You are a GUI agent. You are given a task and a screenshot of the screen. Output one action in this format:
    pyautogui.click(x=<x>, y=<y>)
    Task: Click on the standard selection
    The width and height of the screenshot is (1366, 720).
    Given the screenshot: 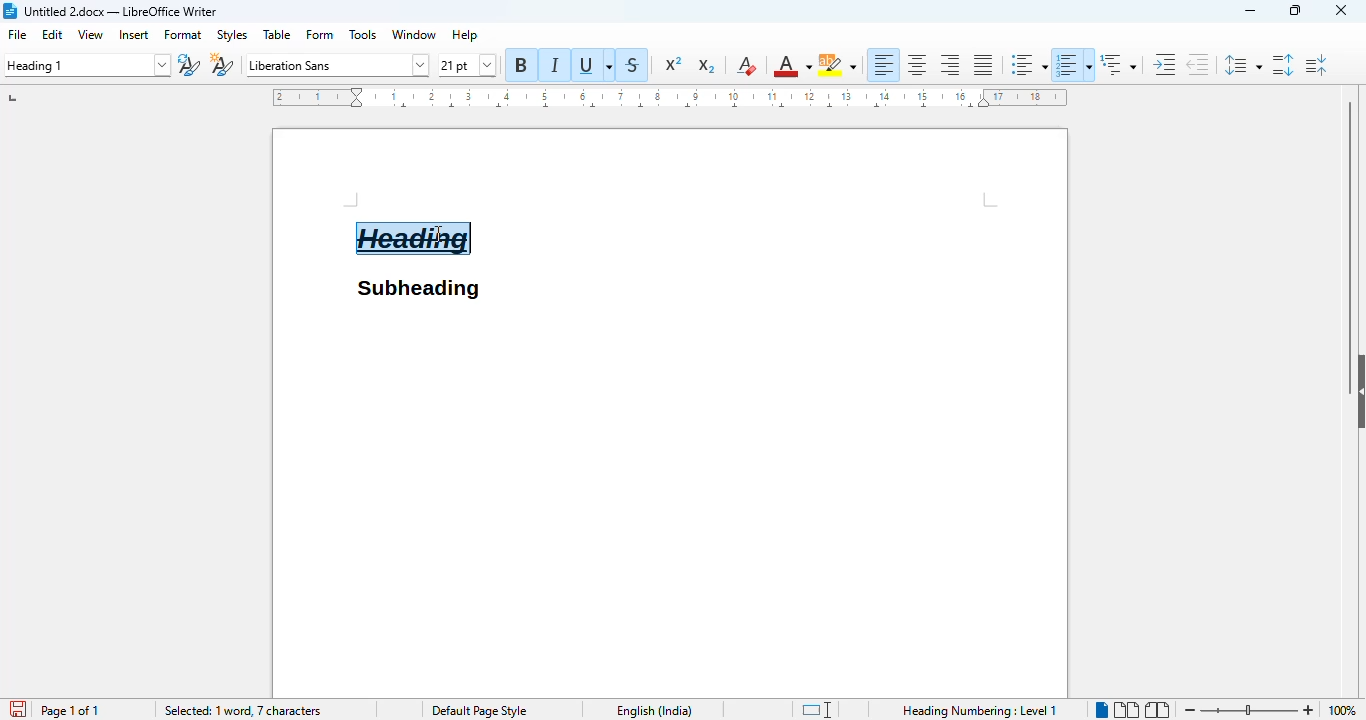 What is the action you would take?
    pyautogui.click(x=816, y=710)
    